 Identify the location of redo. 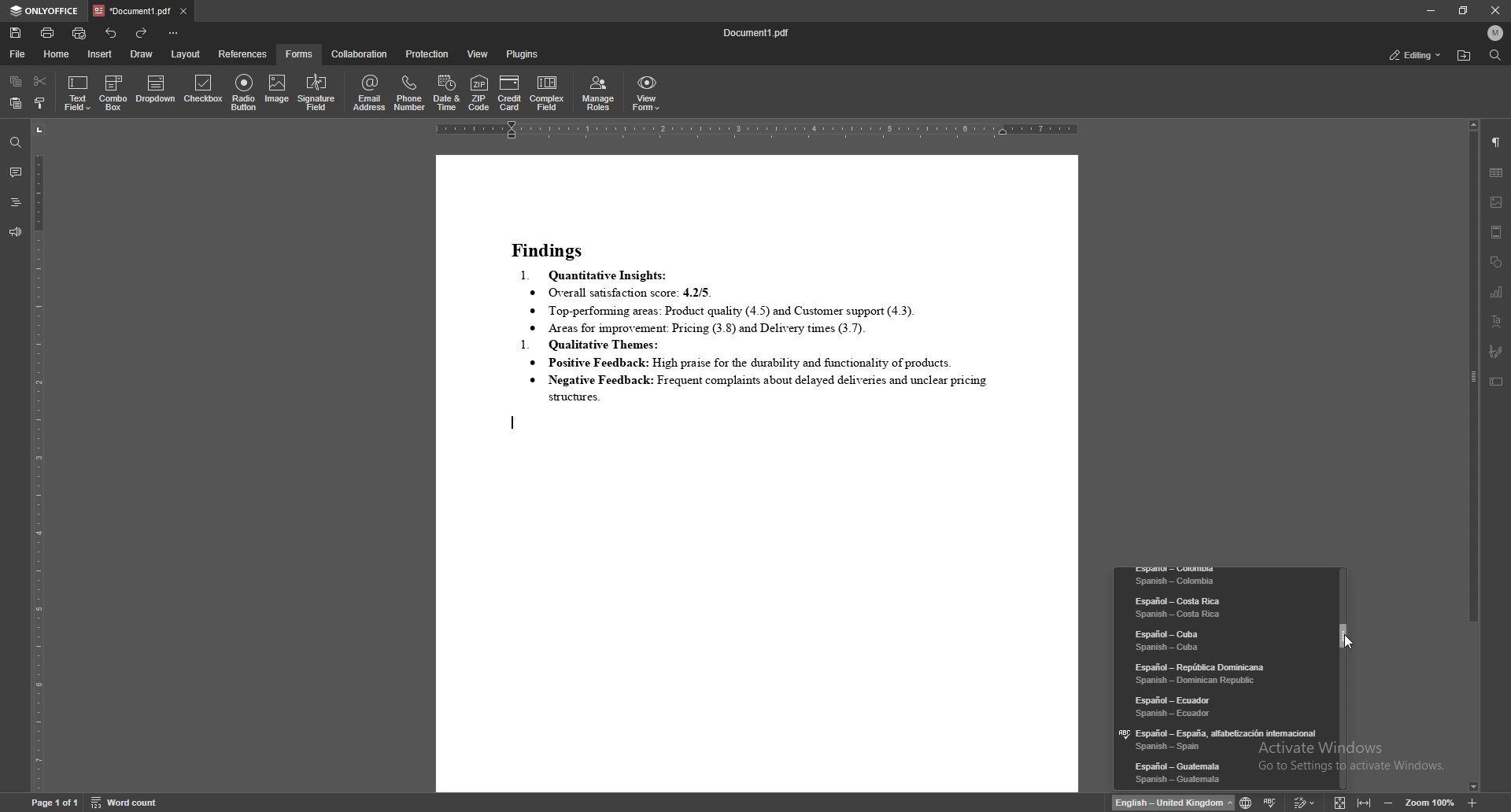
(144, 32).